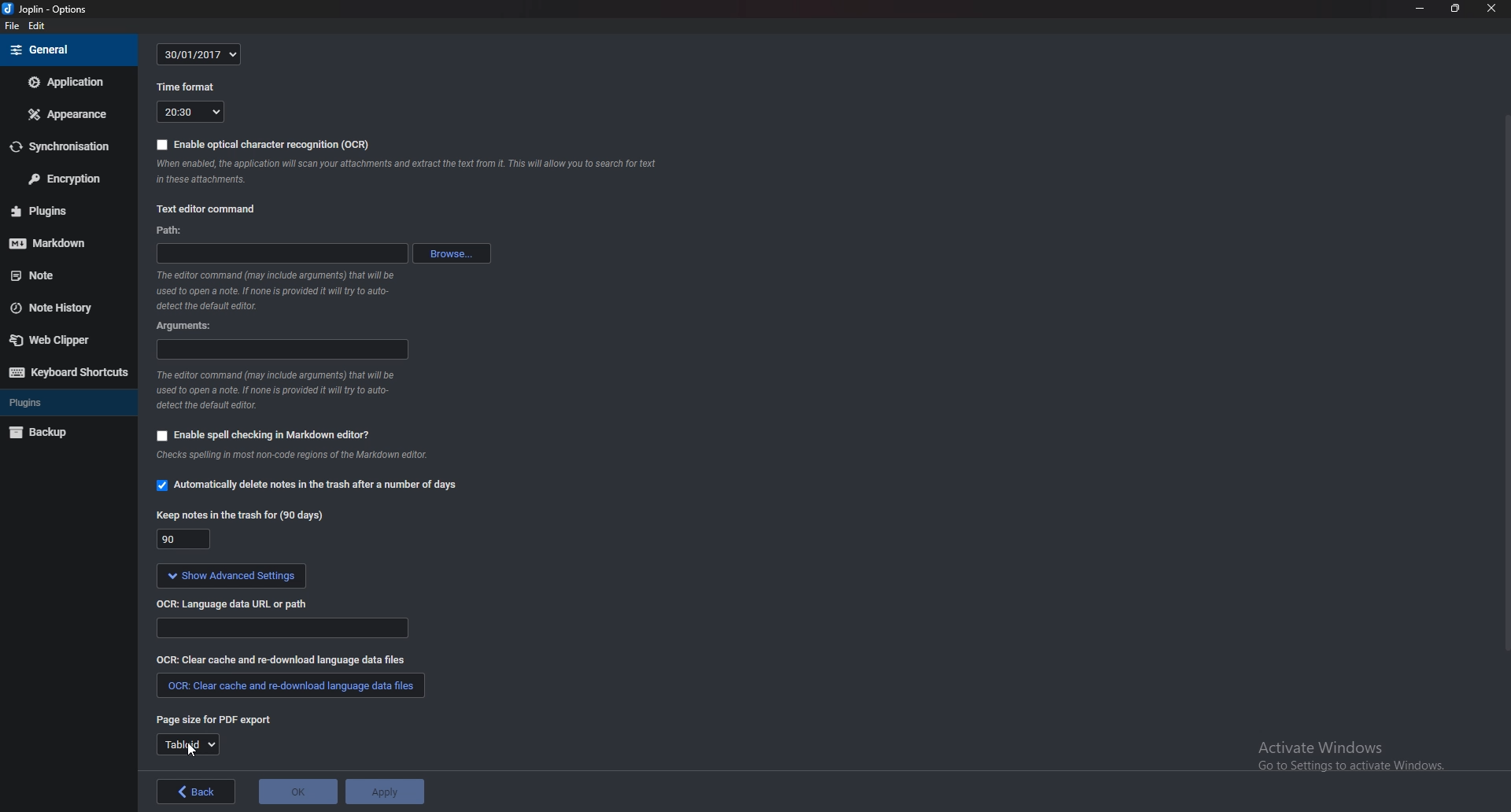 The height and width of the screenshot is (812, 1511). What do you see at coordinates (65, 146) in the screenshot?
I see `Synchronization` at bounding box center [65, 146].